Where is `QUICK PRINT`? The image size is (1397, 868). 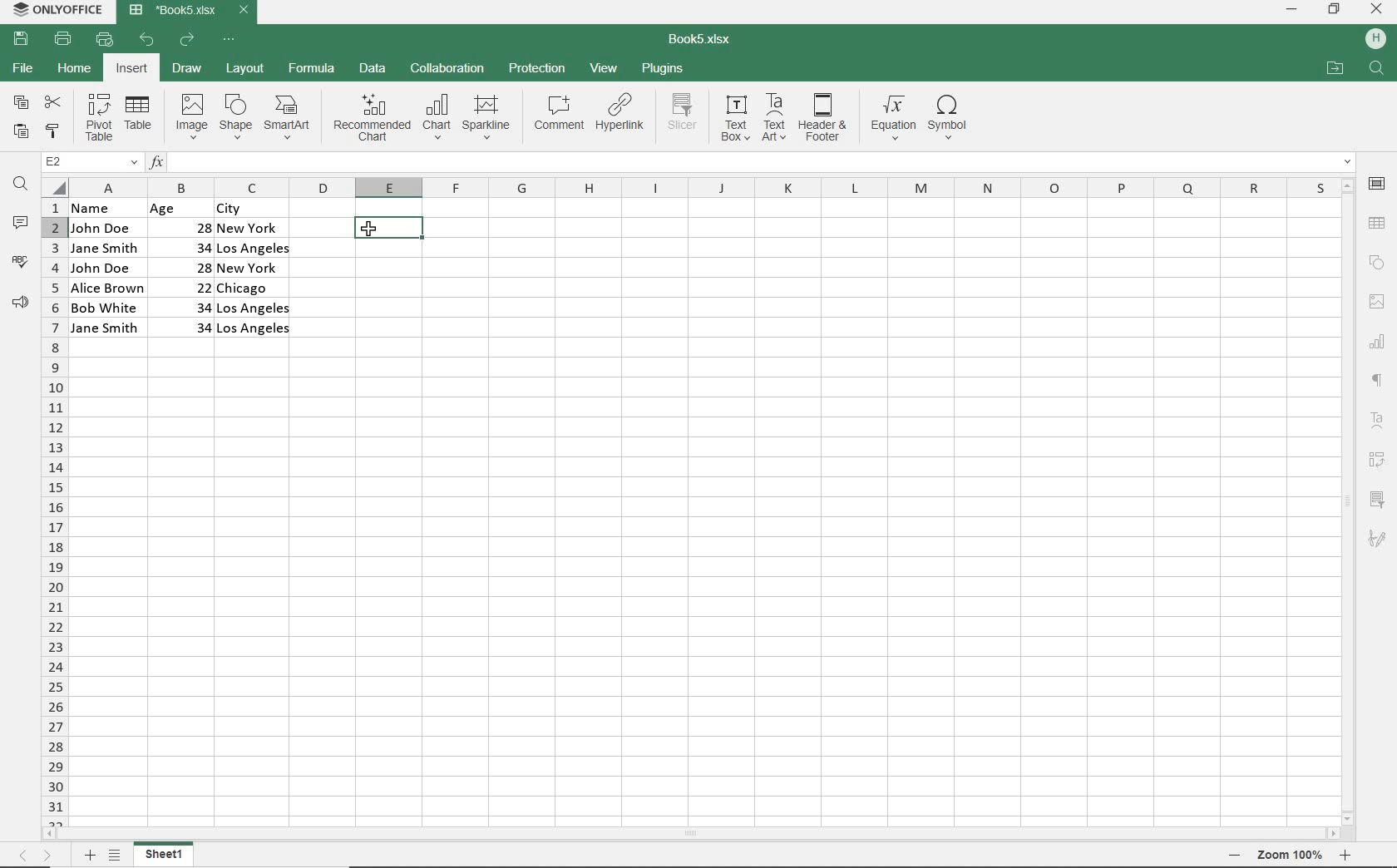
QUICK PRINT is located at coordinates (103, 39).